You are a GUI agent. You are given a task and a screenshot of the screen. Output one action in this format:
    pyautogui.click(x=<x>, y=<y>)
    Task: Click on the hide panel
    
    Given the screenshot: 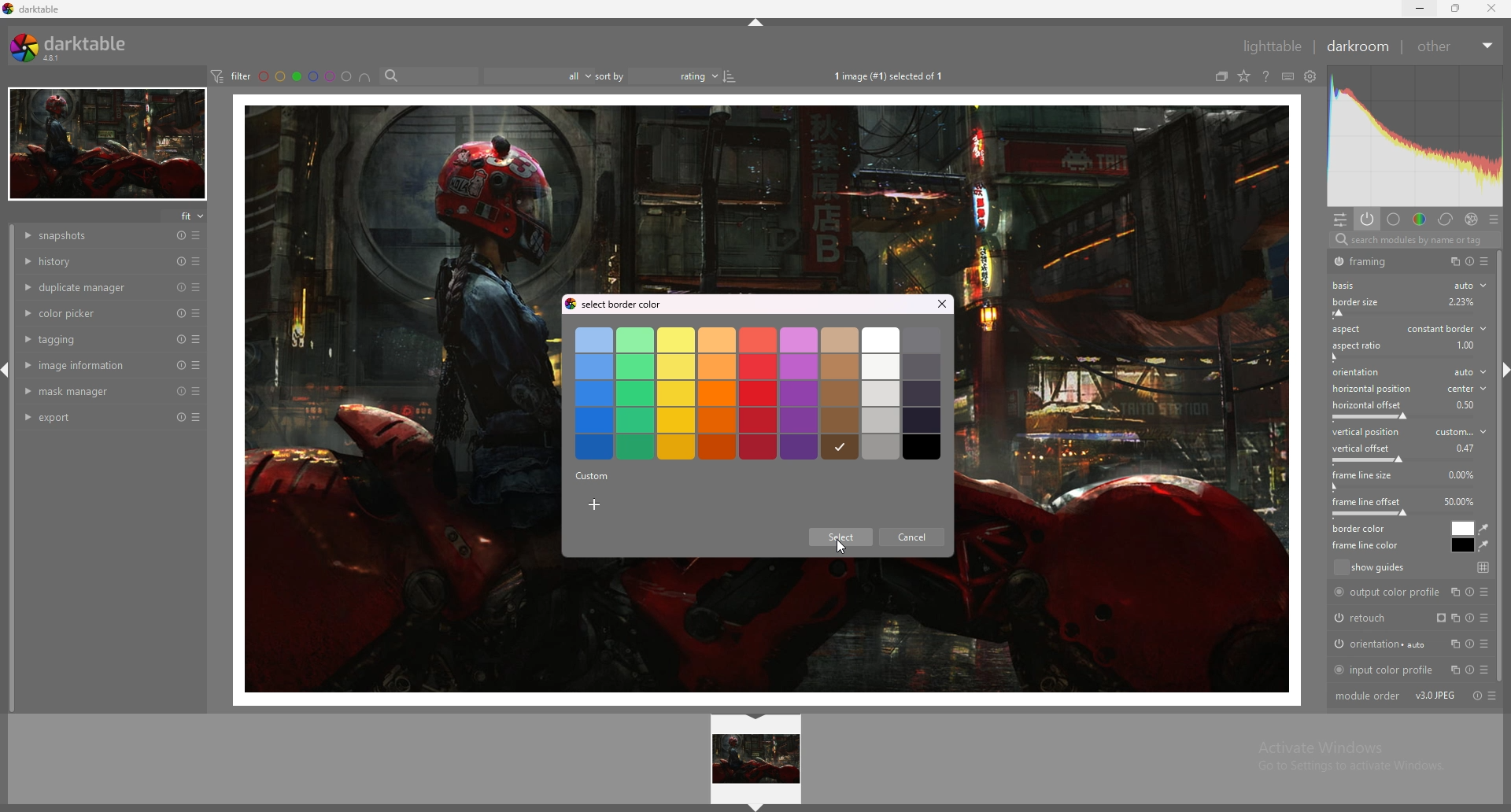 What is the action you would take?
    pyautogui.click(x=759, y=806)
    